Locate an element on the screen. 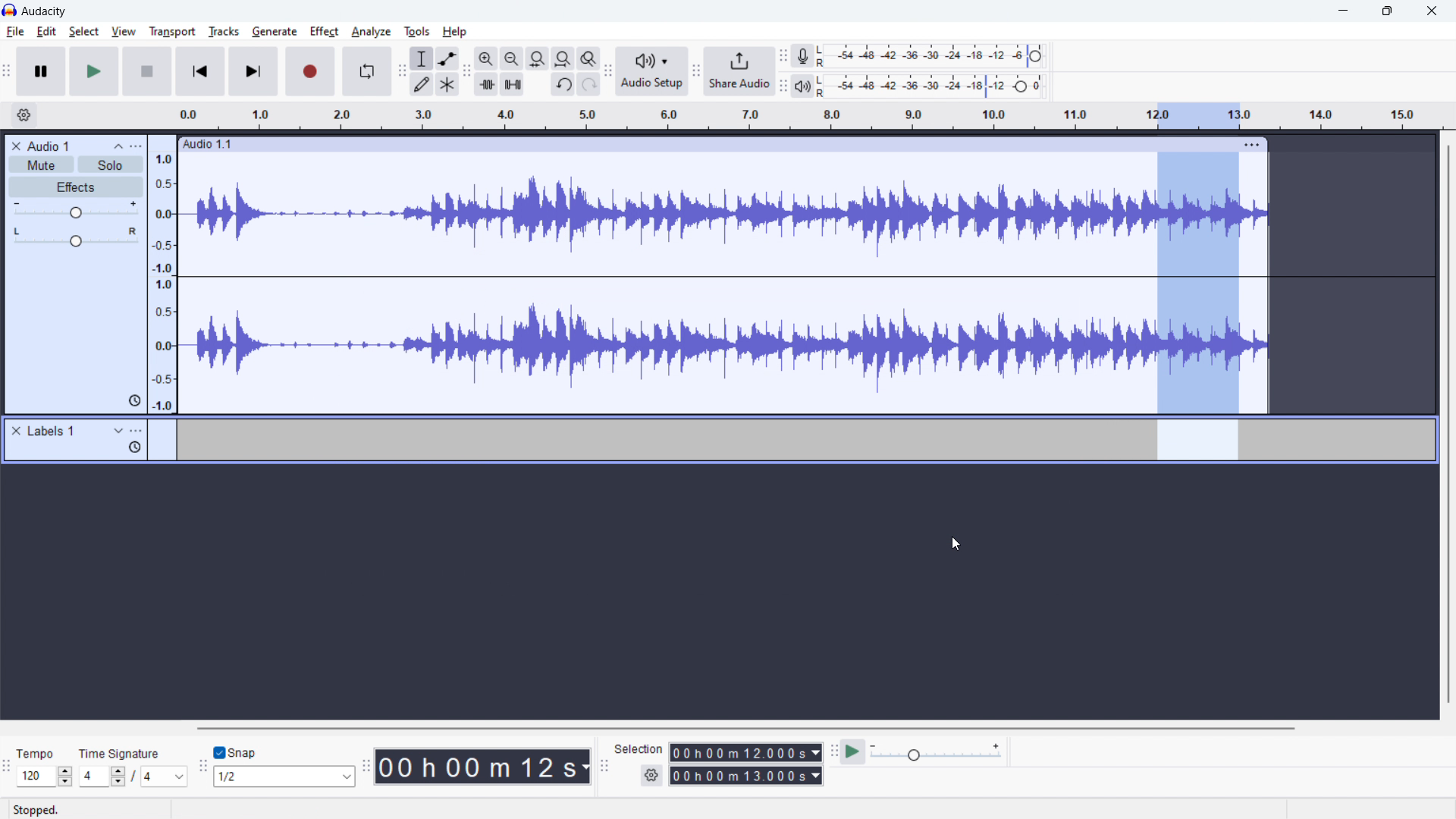 This screenshot has height=819, width=1456. stopped. is located at coordinates (45, 808).